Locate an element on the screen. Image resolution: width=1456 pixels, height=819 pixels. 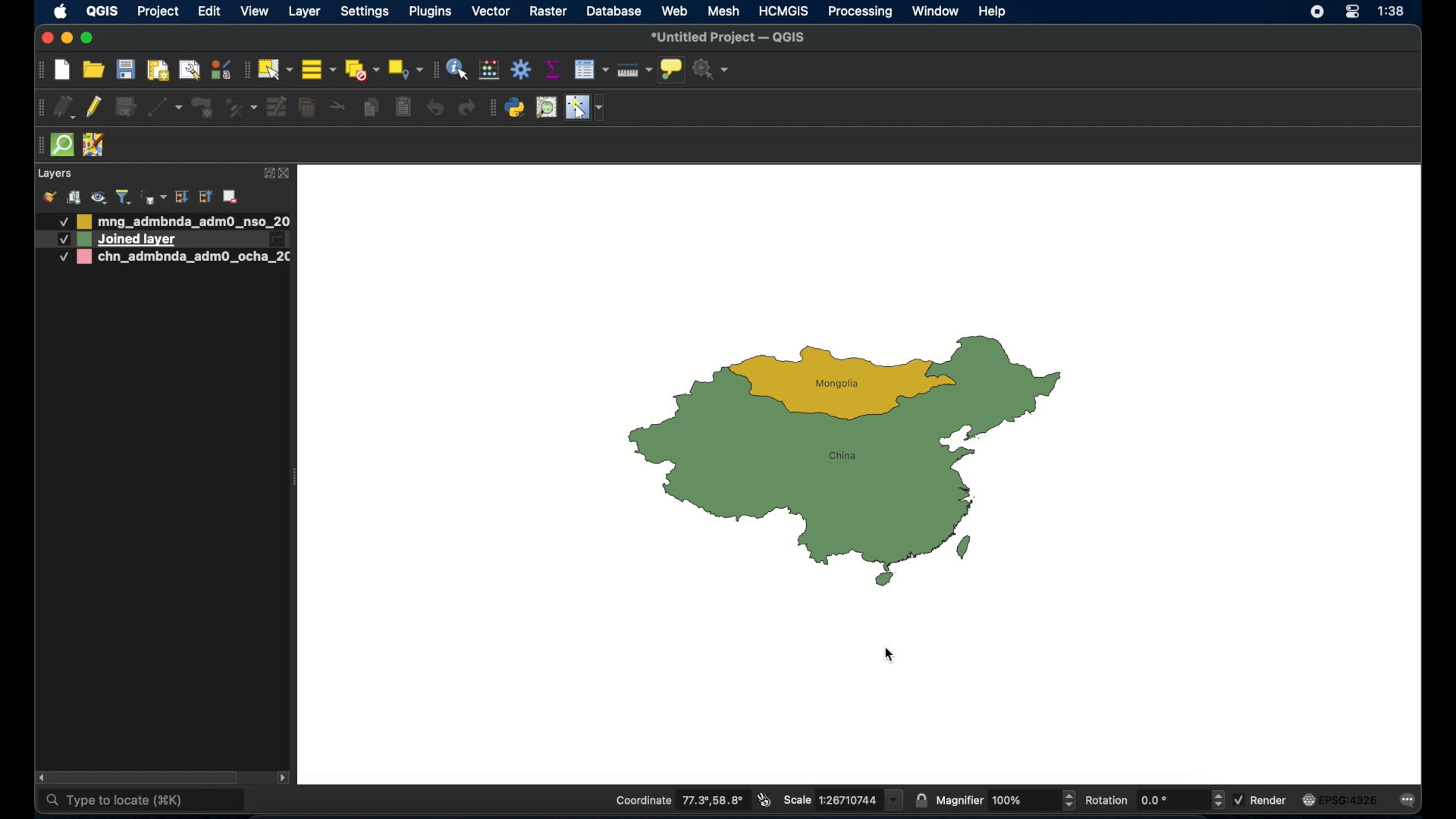
filter legend is located at coordinates (124, 196).